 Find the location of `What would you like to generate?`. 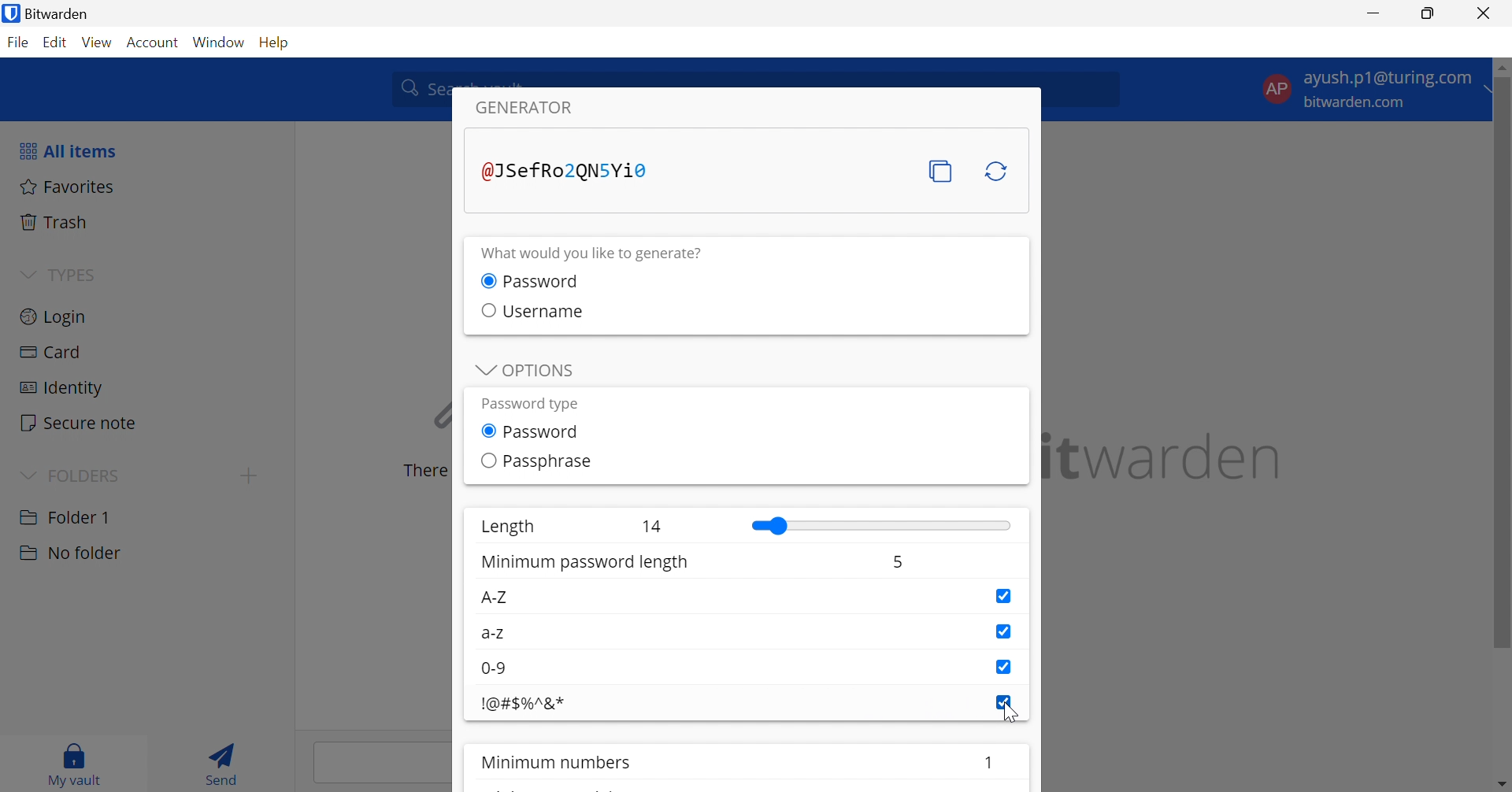

What would you like to generate? is located at coordinates (602, 254).